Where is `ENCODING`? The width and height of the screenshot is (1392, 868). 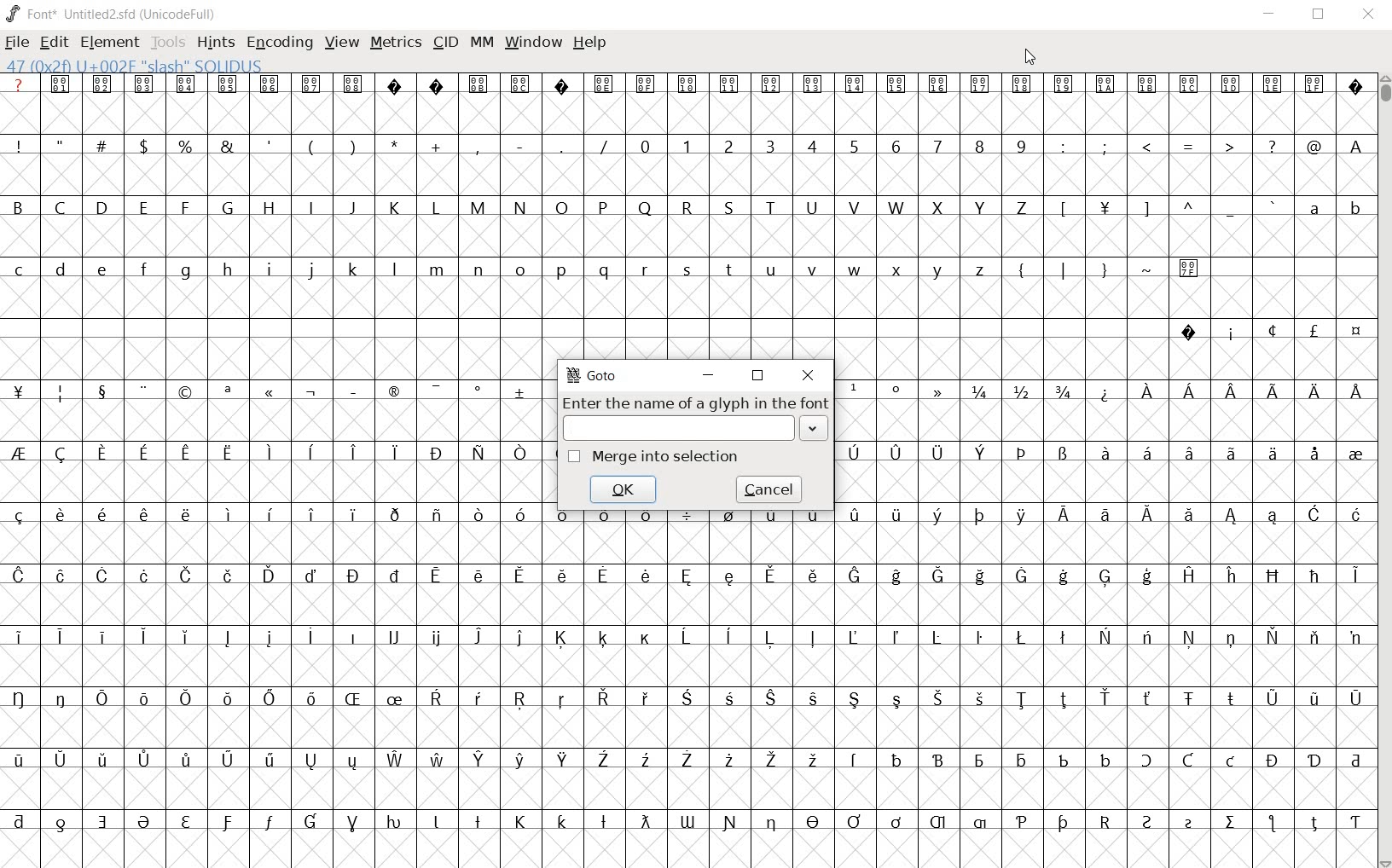 ENCODING is located at coordinates (279, 43).